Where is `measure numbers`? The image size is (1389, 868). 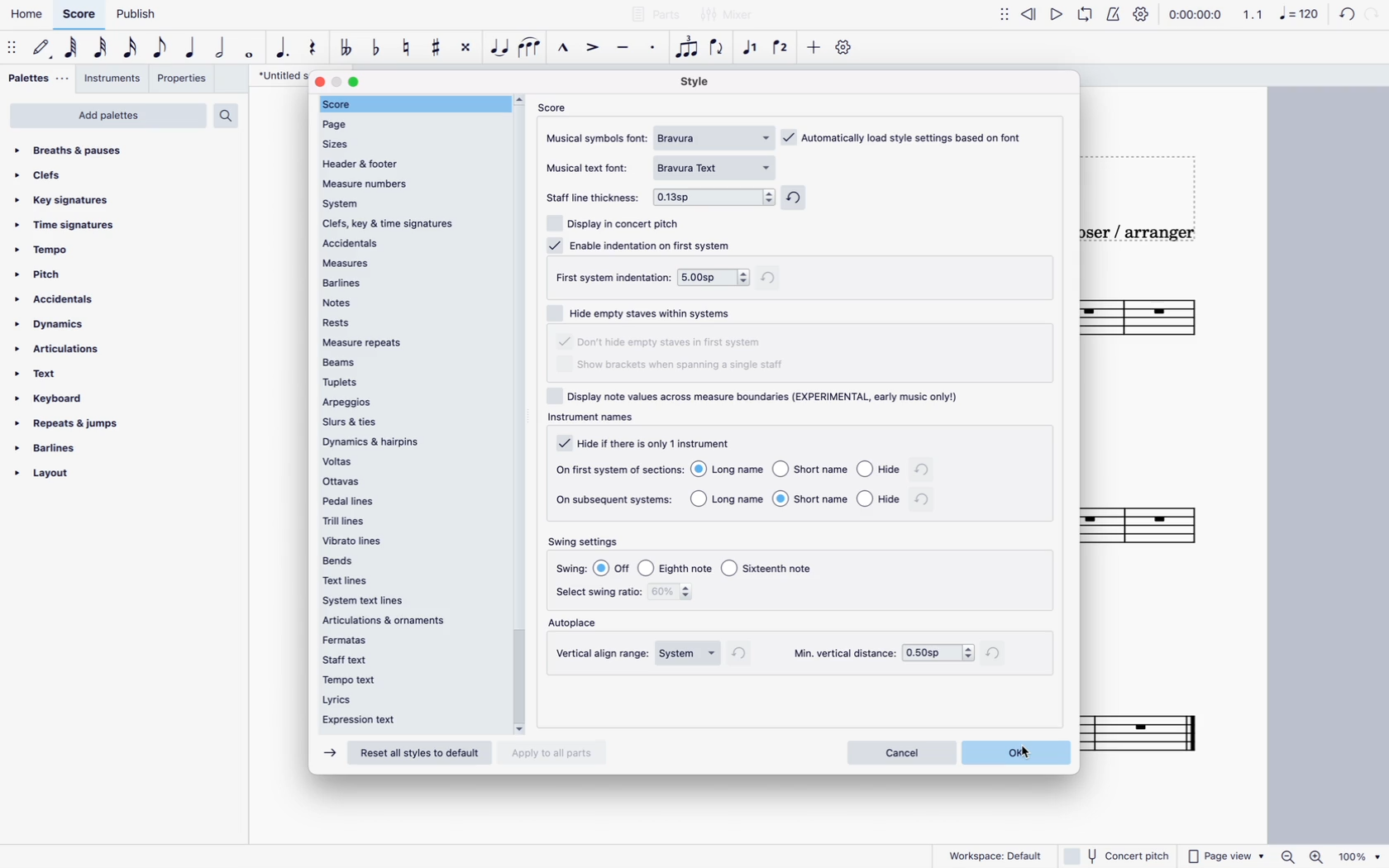 measure numbers is located at coordinates (409, 183).